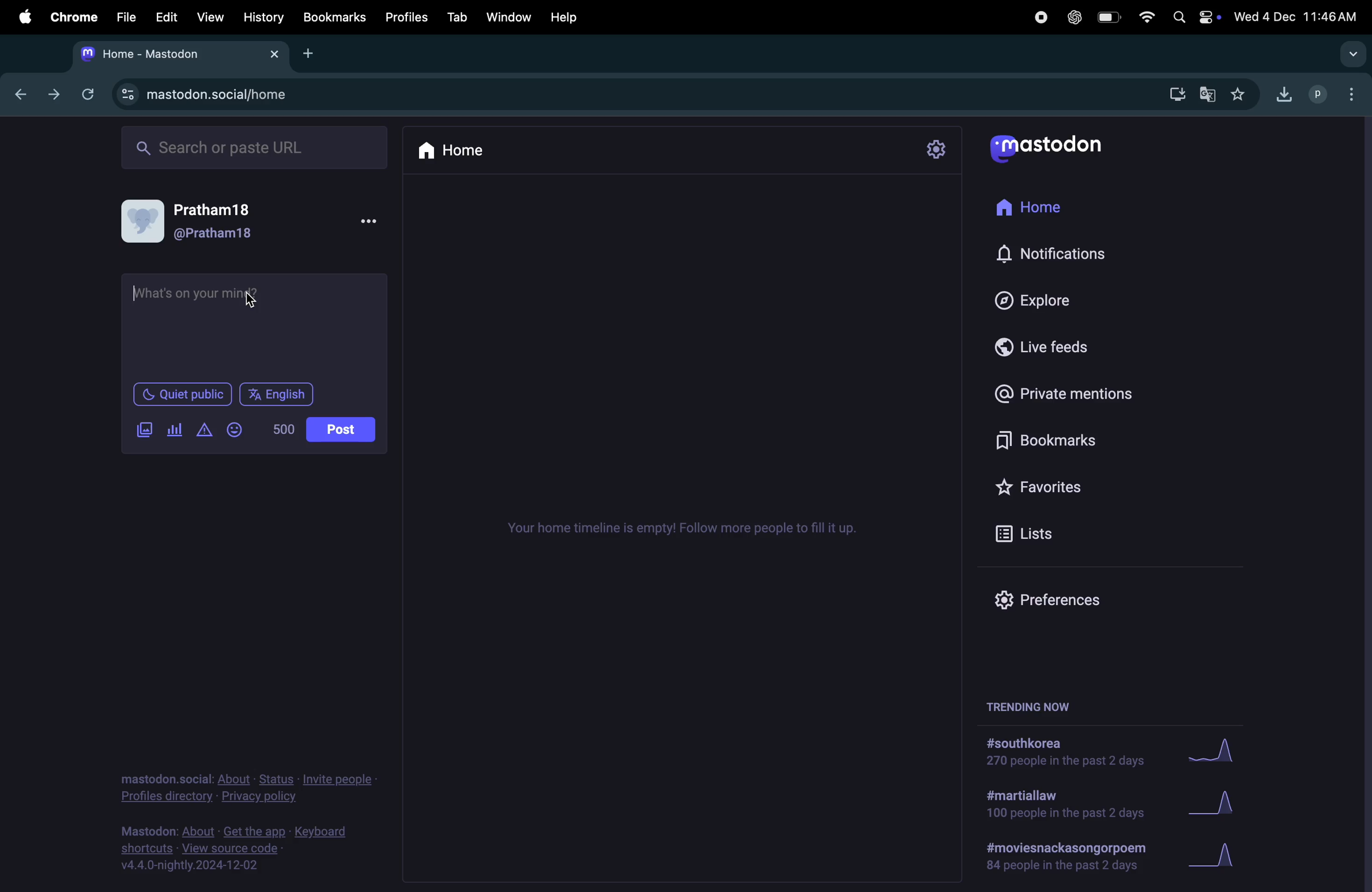 The height and width of the screenshot is (892, 1372). Describe the element at coordinates (461, 153) in the screenshot. I see `Home` at that location.